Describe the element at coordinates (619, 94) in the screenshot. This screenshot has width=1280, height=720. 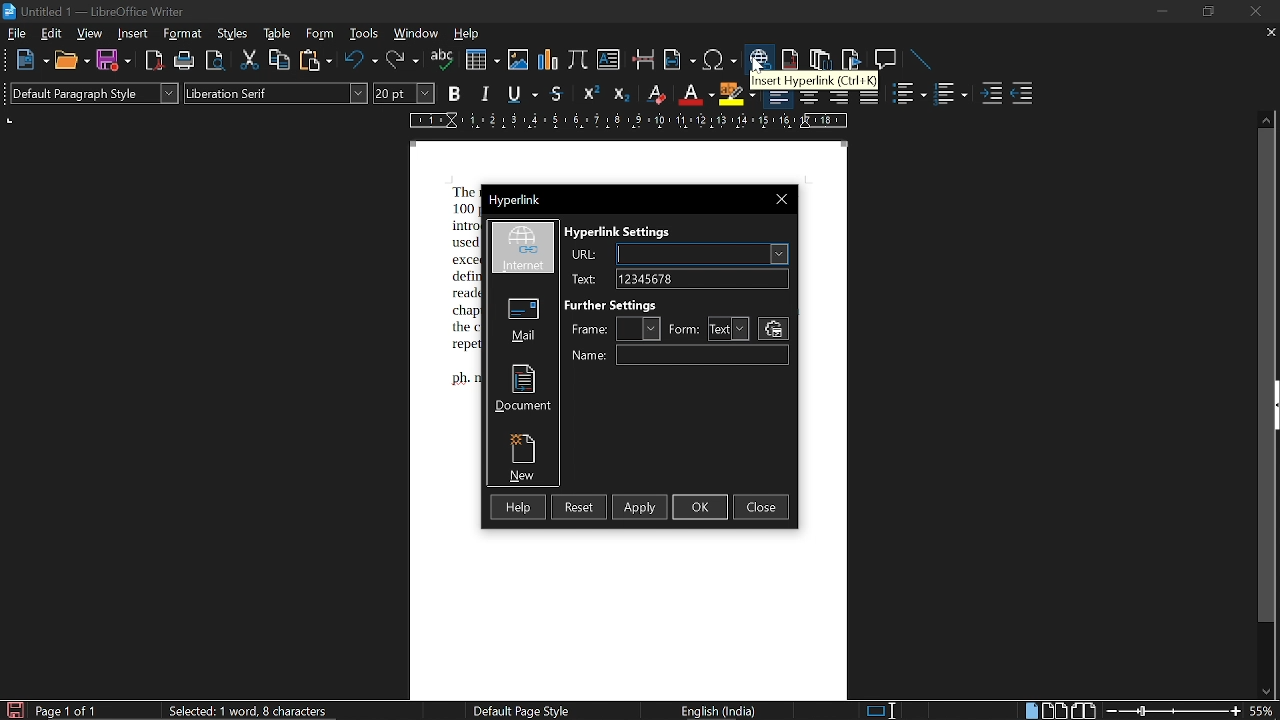
I see `subscript` at that location.